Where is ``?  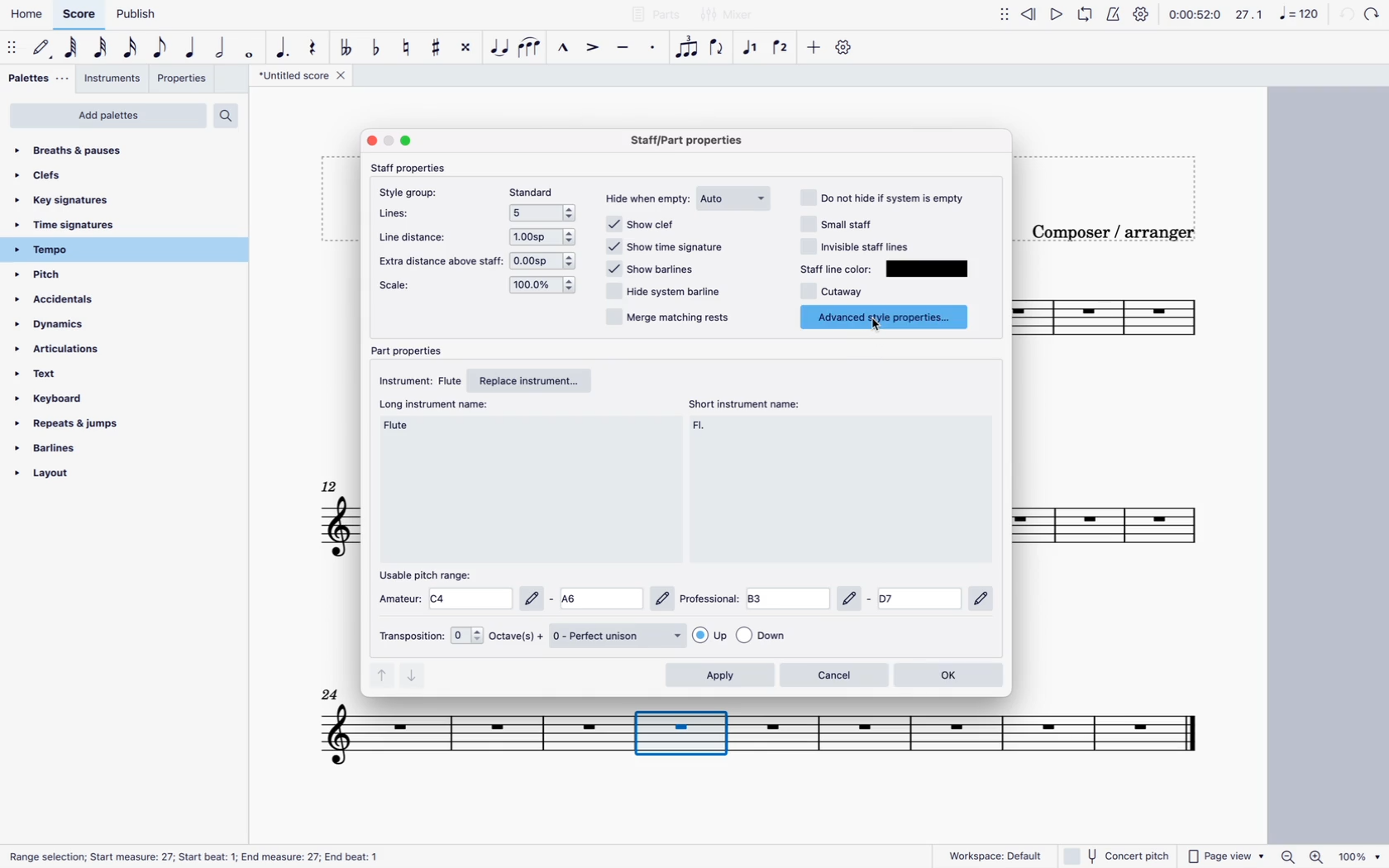
 is located at coordinates (1375, 15).